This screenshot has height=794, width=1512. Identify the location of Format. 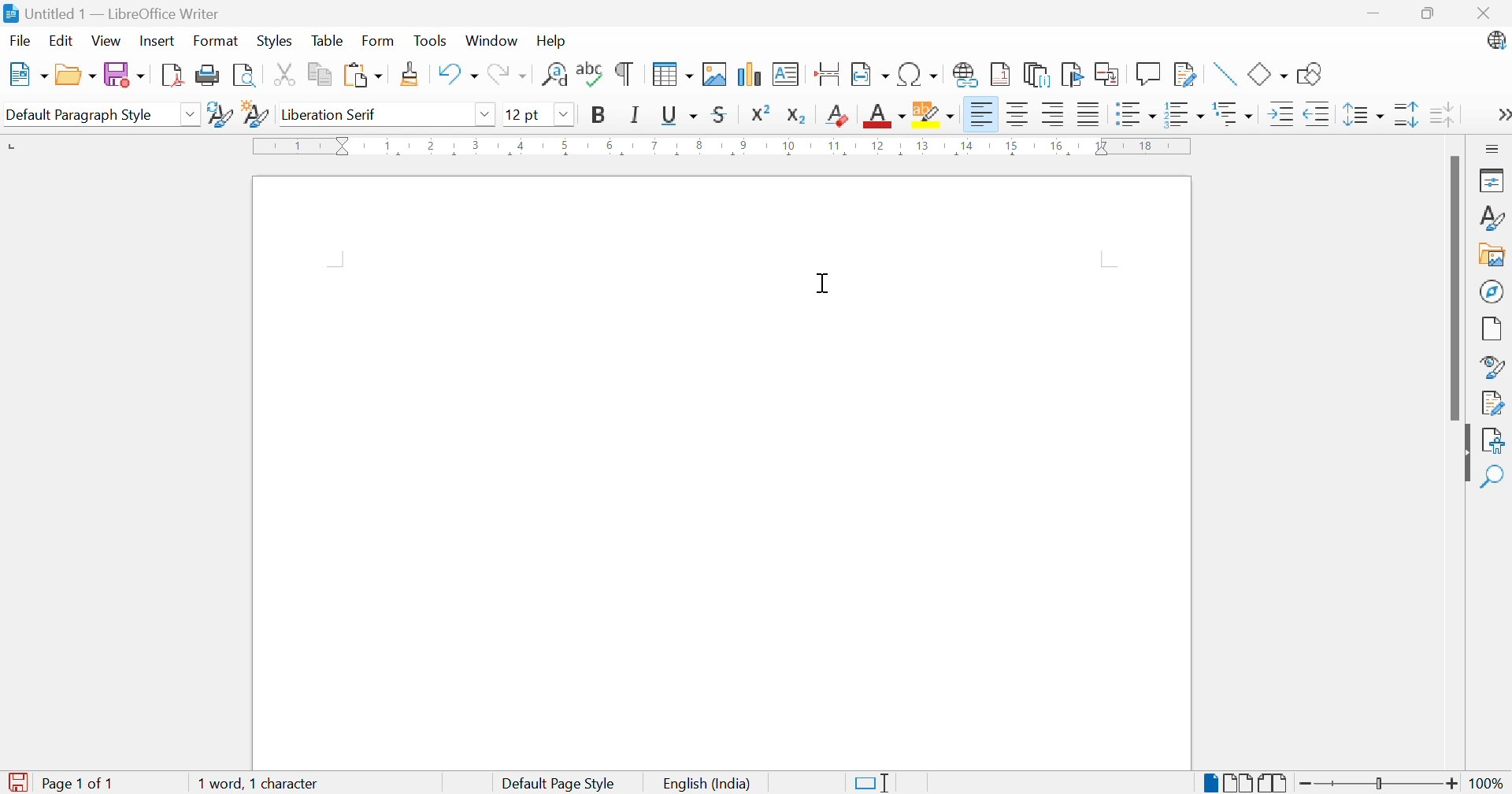
(215, 40).